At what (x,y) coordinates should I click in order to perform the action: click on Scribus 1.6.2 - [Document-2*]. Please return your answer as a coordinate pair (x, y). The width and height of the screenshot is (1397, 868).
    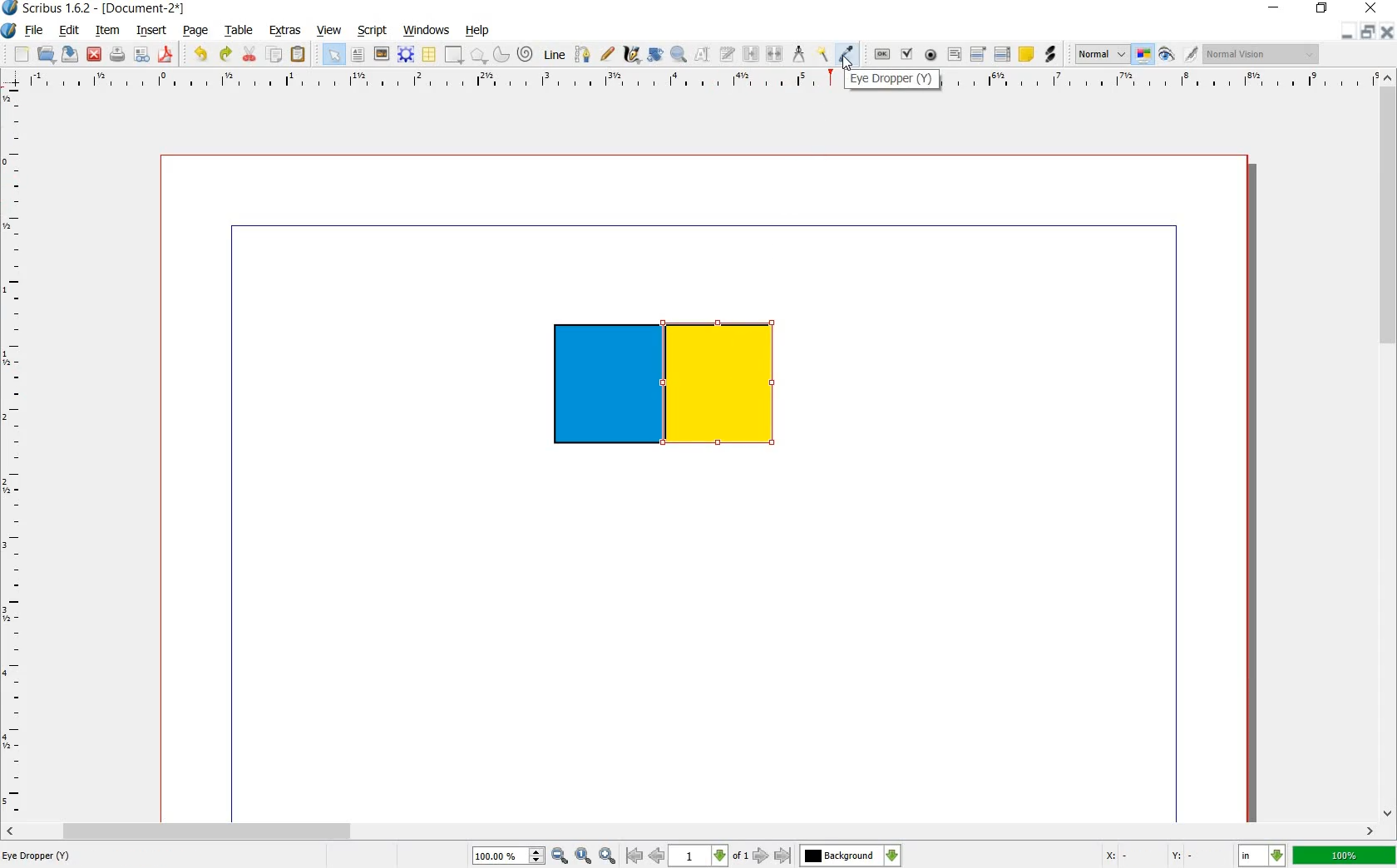
    Looking at the image, I should click on (96, 8).